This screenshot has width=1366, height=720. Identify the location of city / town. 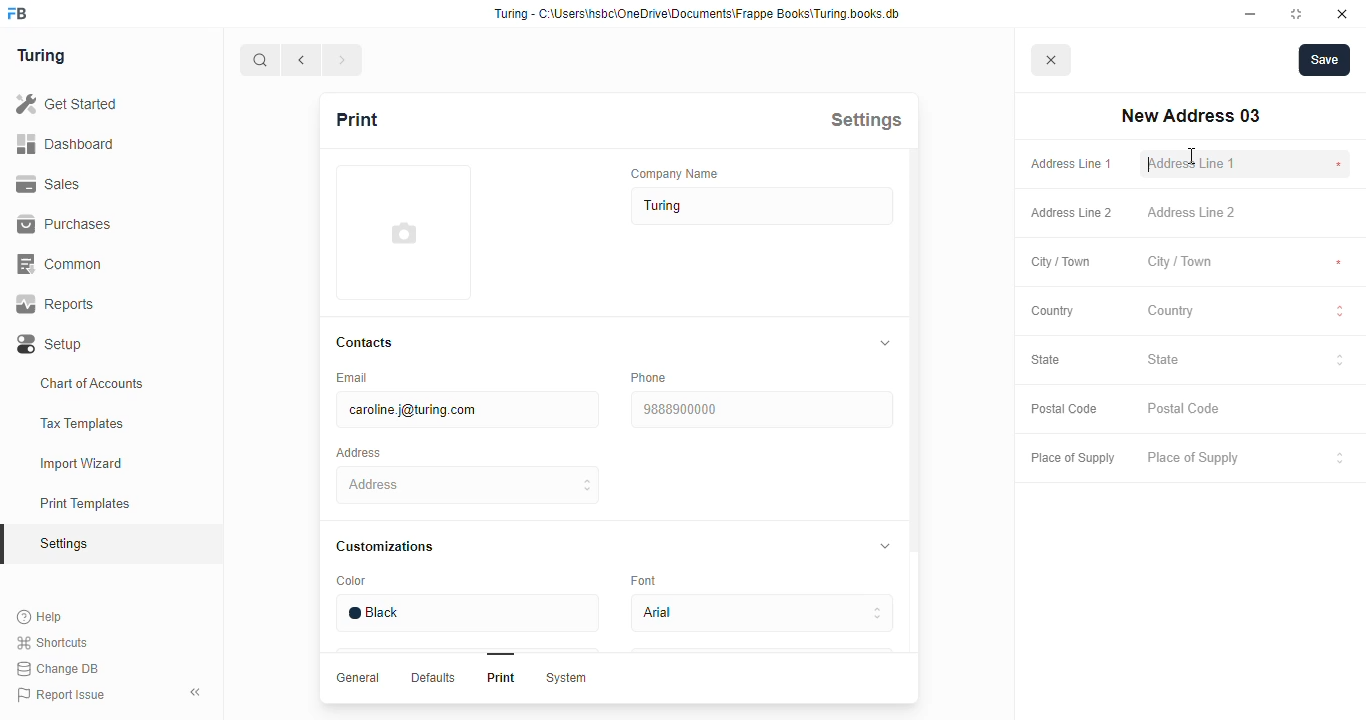
(1062, 263).